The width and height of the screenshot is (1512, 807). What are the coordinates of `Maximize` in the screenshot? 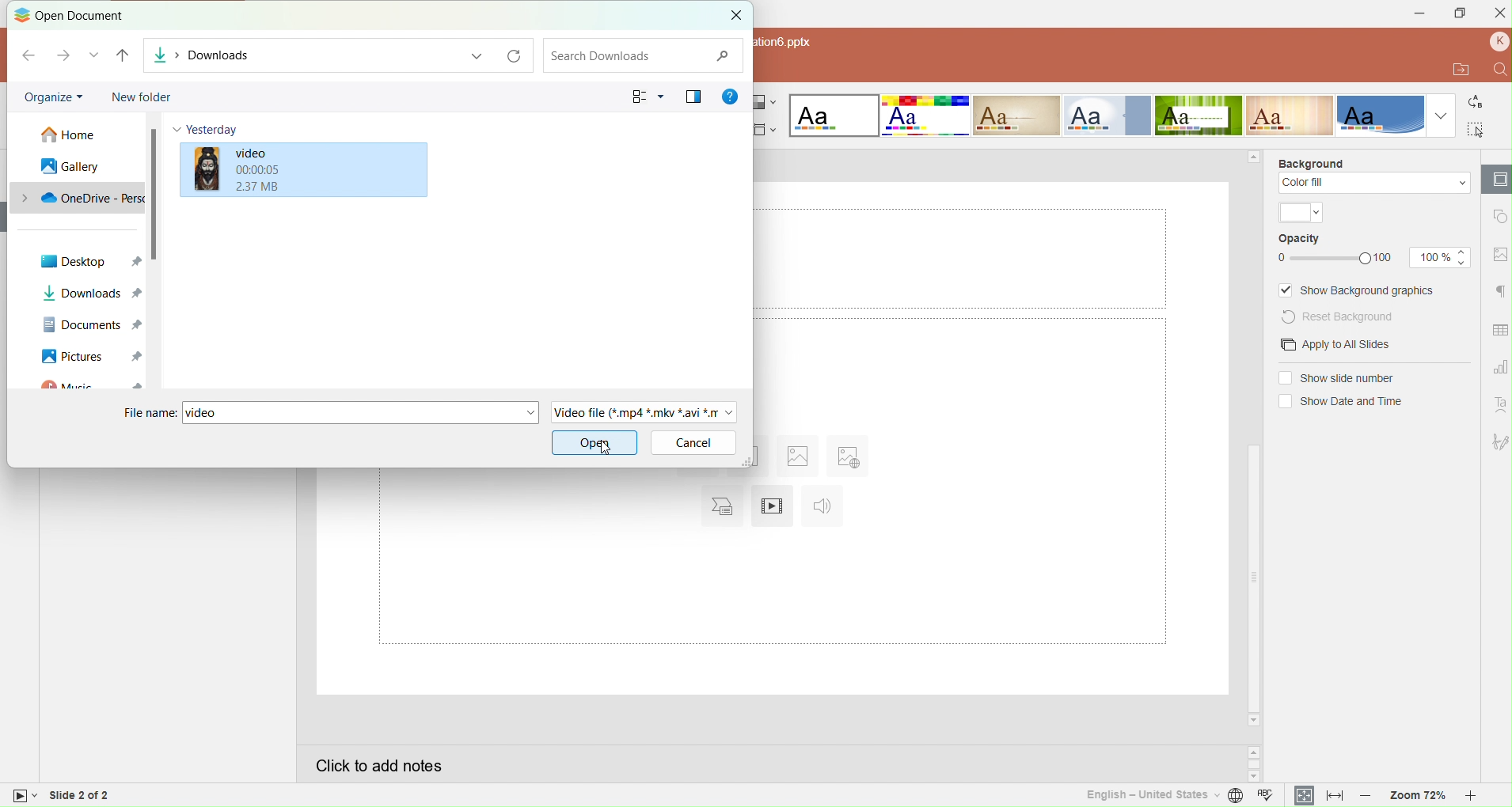 It's located at (1459, 15).